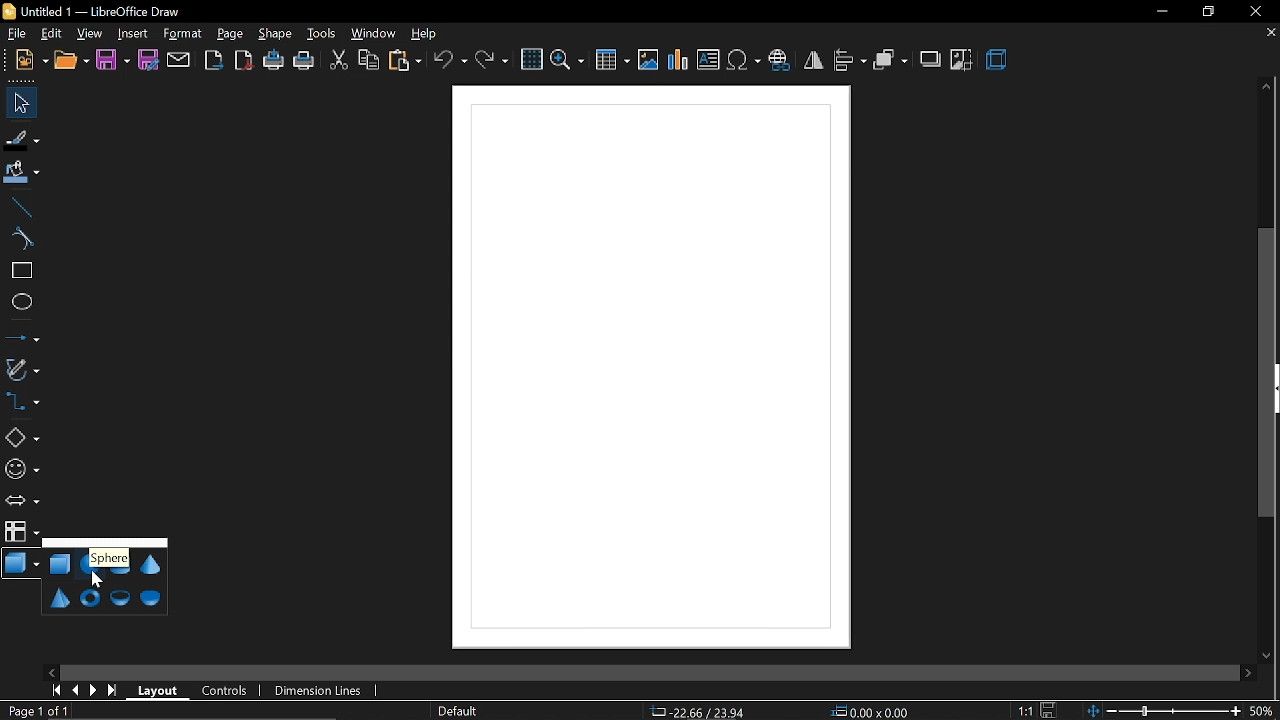  I want to click on symbol shapes, so click(21, 469).